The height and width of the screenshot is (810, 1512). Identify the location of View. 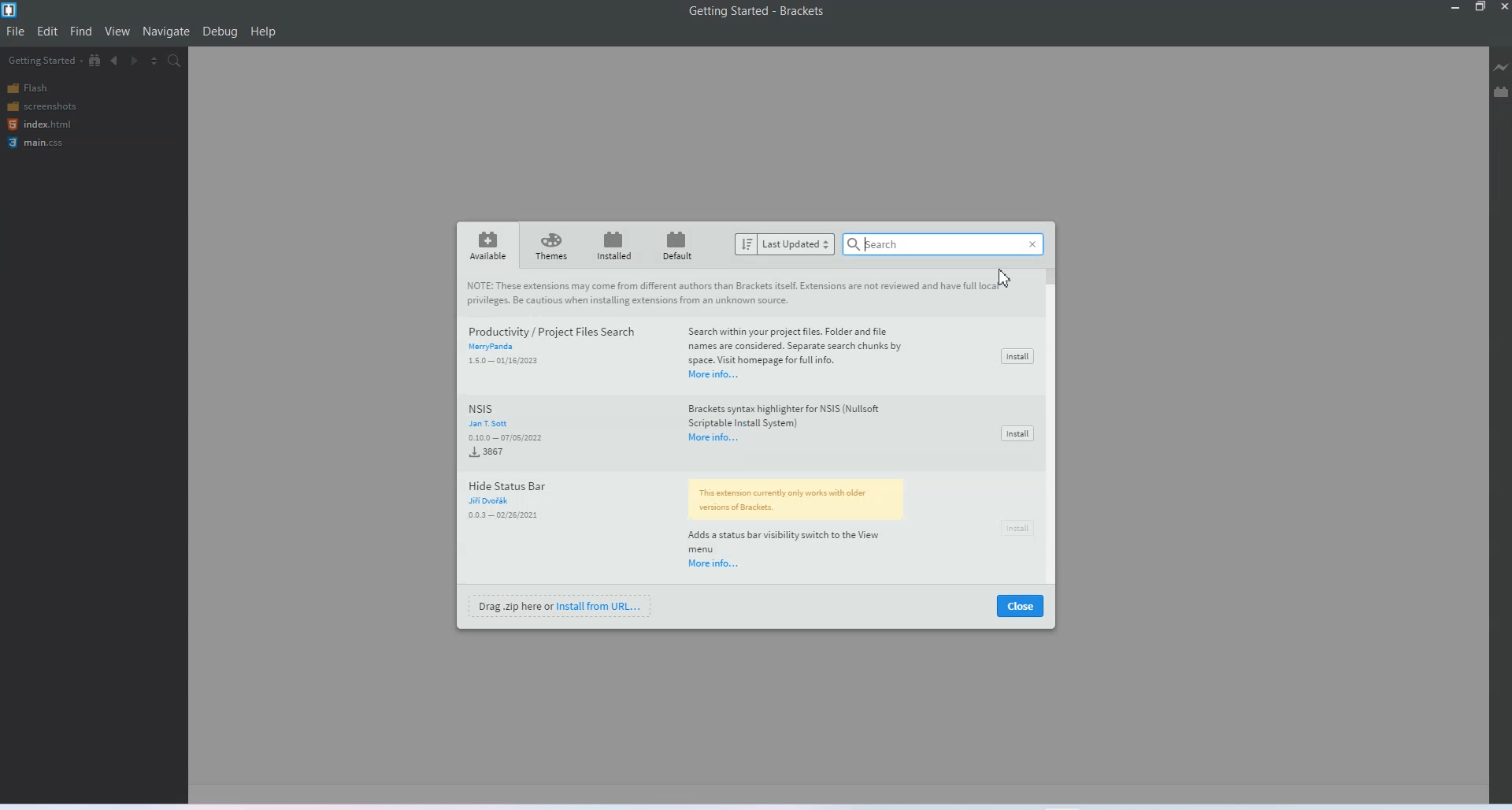
(117, 32).